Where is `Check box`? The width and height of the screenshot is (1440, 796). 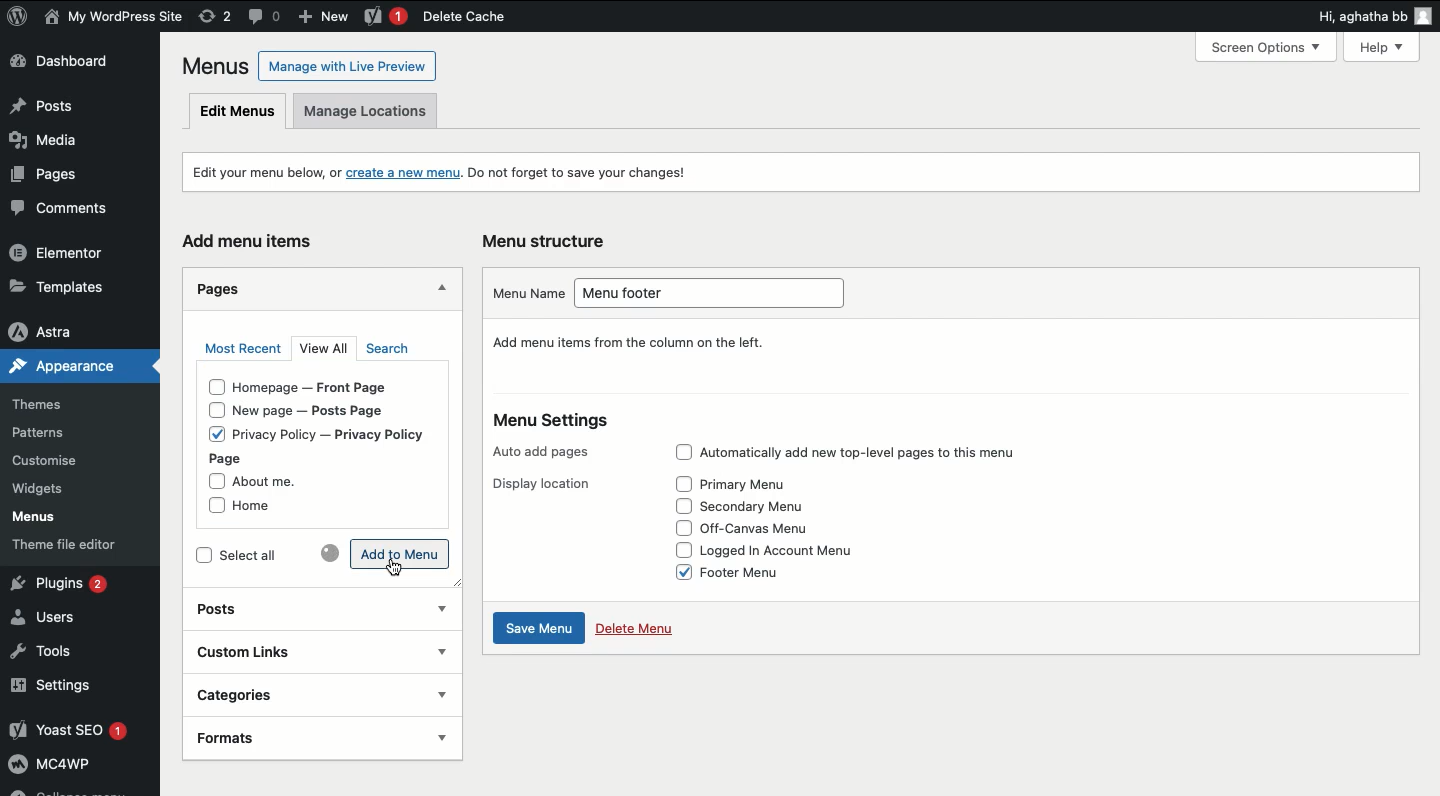 Check box is located at coordinates (679, 453).